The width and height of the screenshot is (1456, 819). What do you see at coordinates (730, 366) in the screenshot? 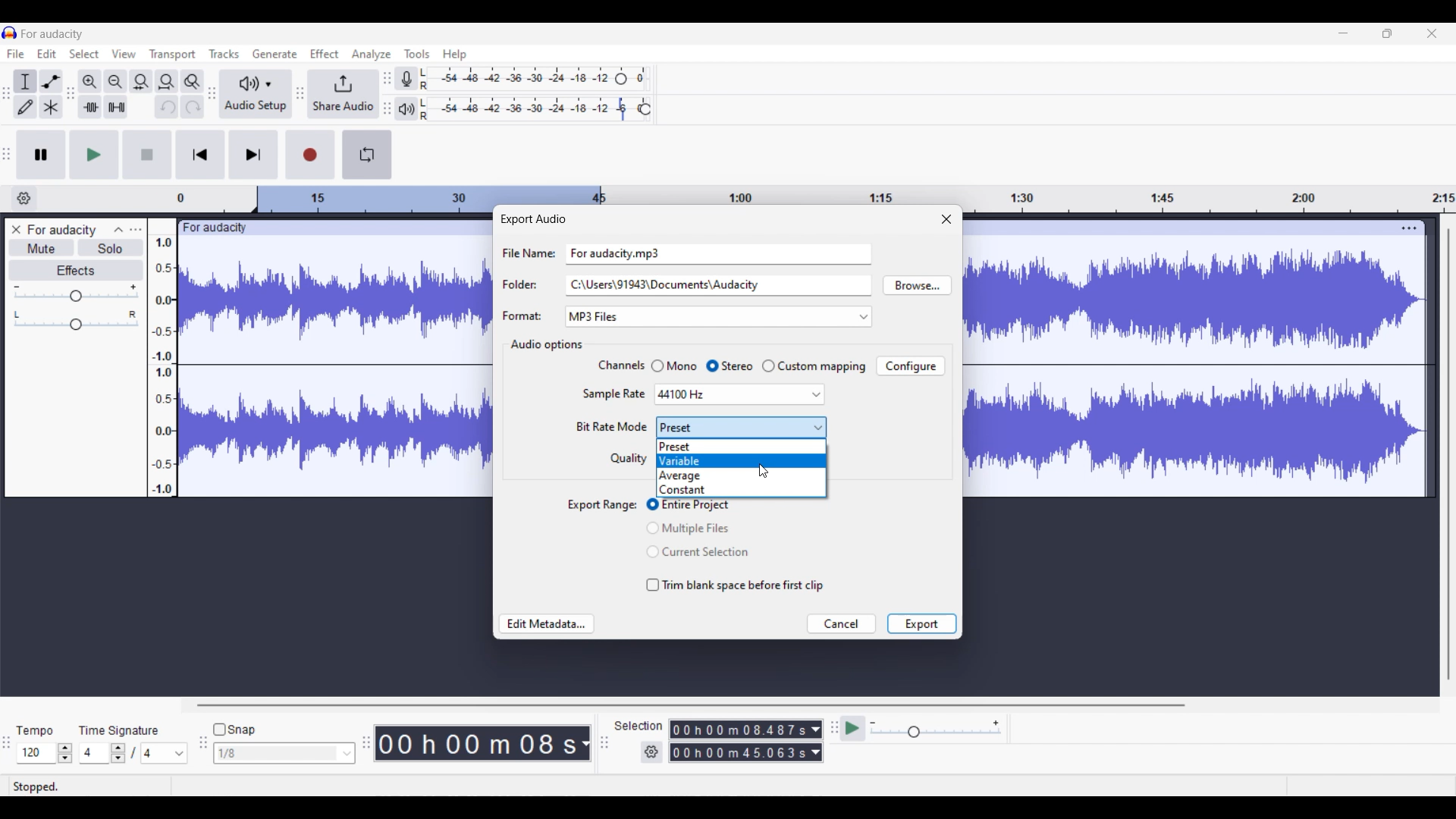
I see `Toggle for Stereo, current selection` at bounding box center [730, 366].